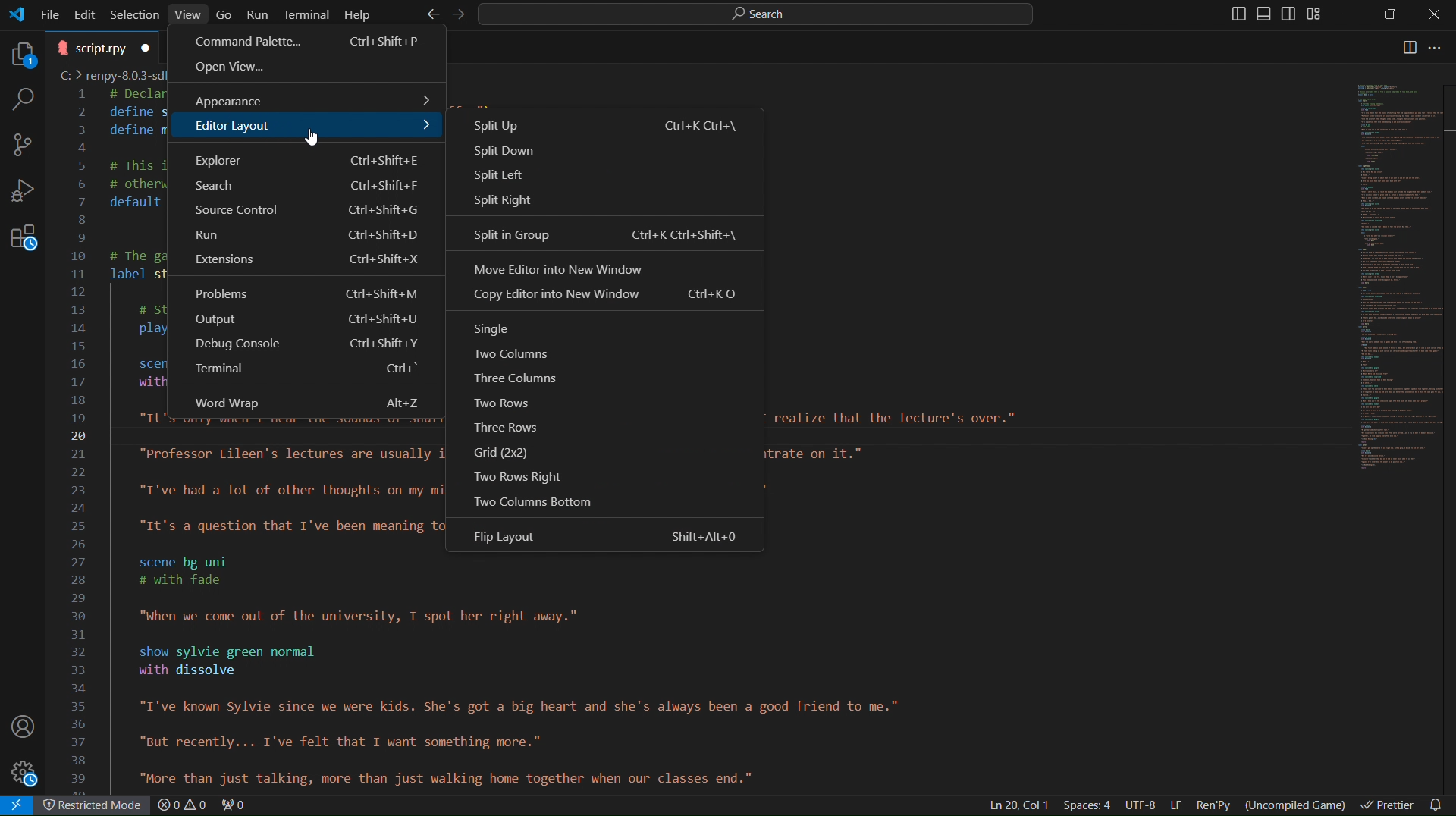  I want to click on LF, so click(1176, 805).